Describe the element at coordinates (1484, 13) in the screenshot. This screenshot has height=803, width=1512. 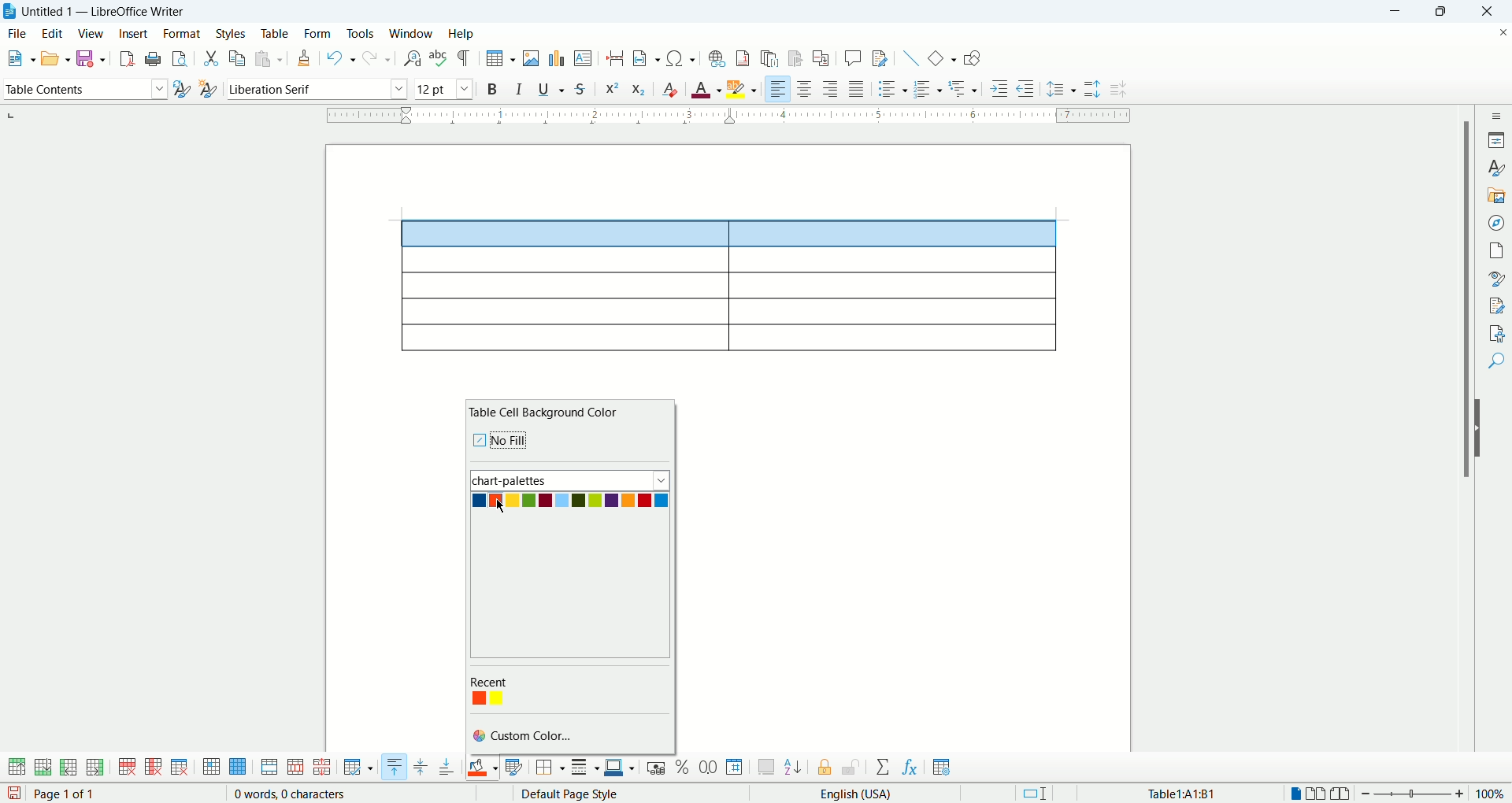
I see `close` at that location.